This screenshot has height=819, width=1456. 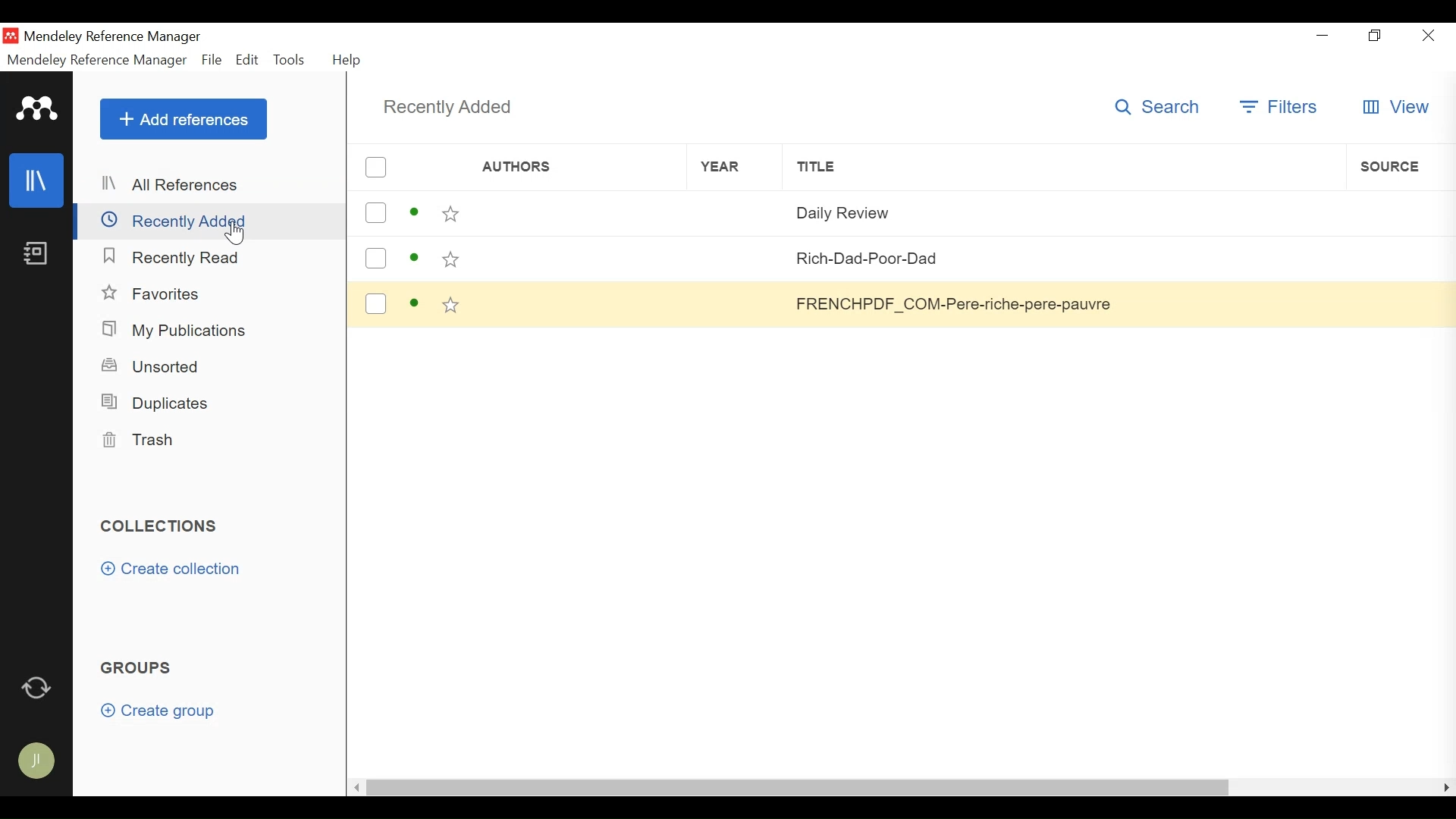 What do you see at coordinates (1058, 303) in the screenshot?
I see `Title` at bounding box center [1058, 303].